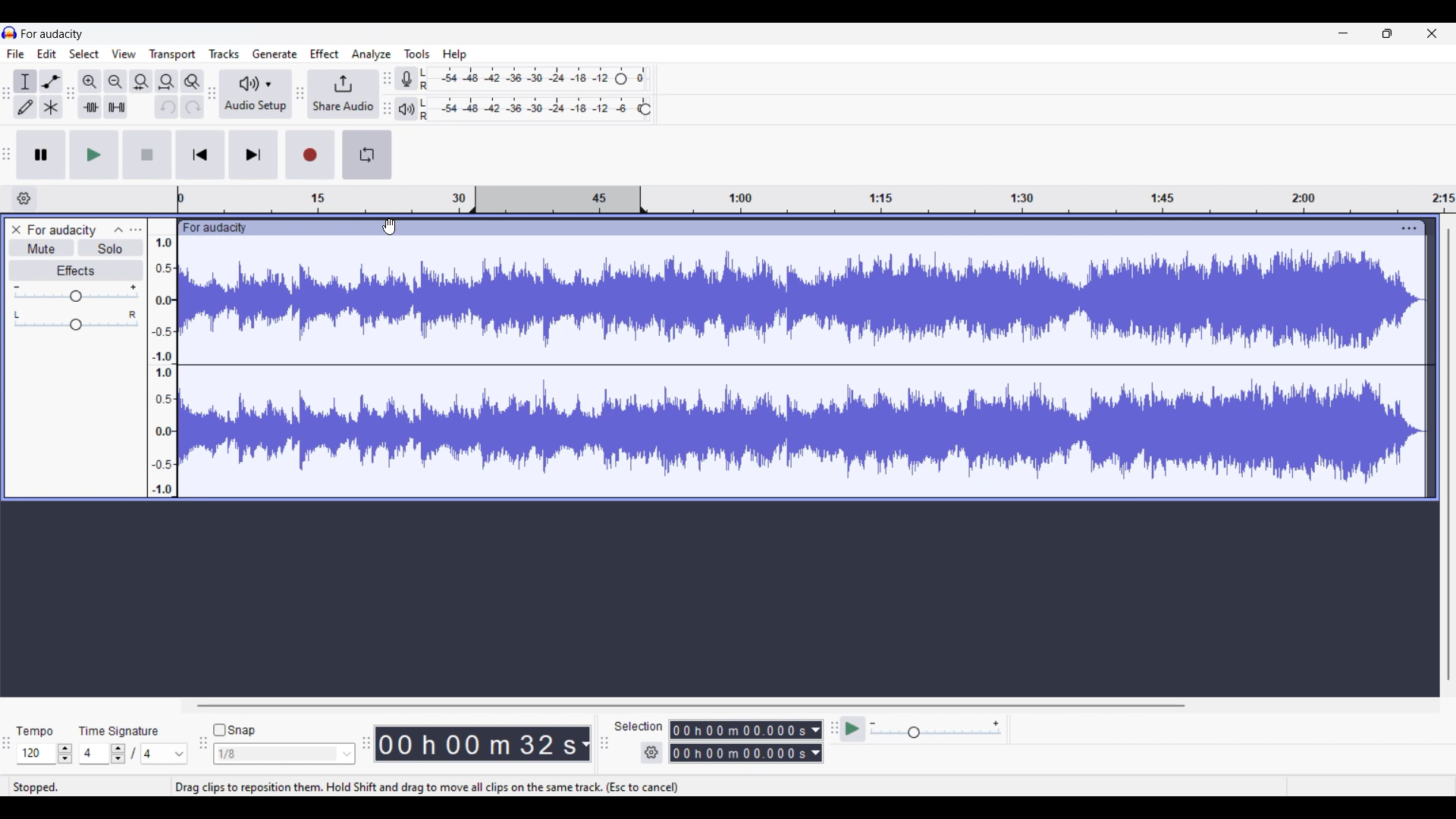 Image resolution: width=1456 pixels, height=819 pixels. Describe the element at coordinates (621, 79) in the screenshot. I see `Header to change recording level` at that location.